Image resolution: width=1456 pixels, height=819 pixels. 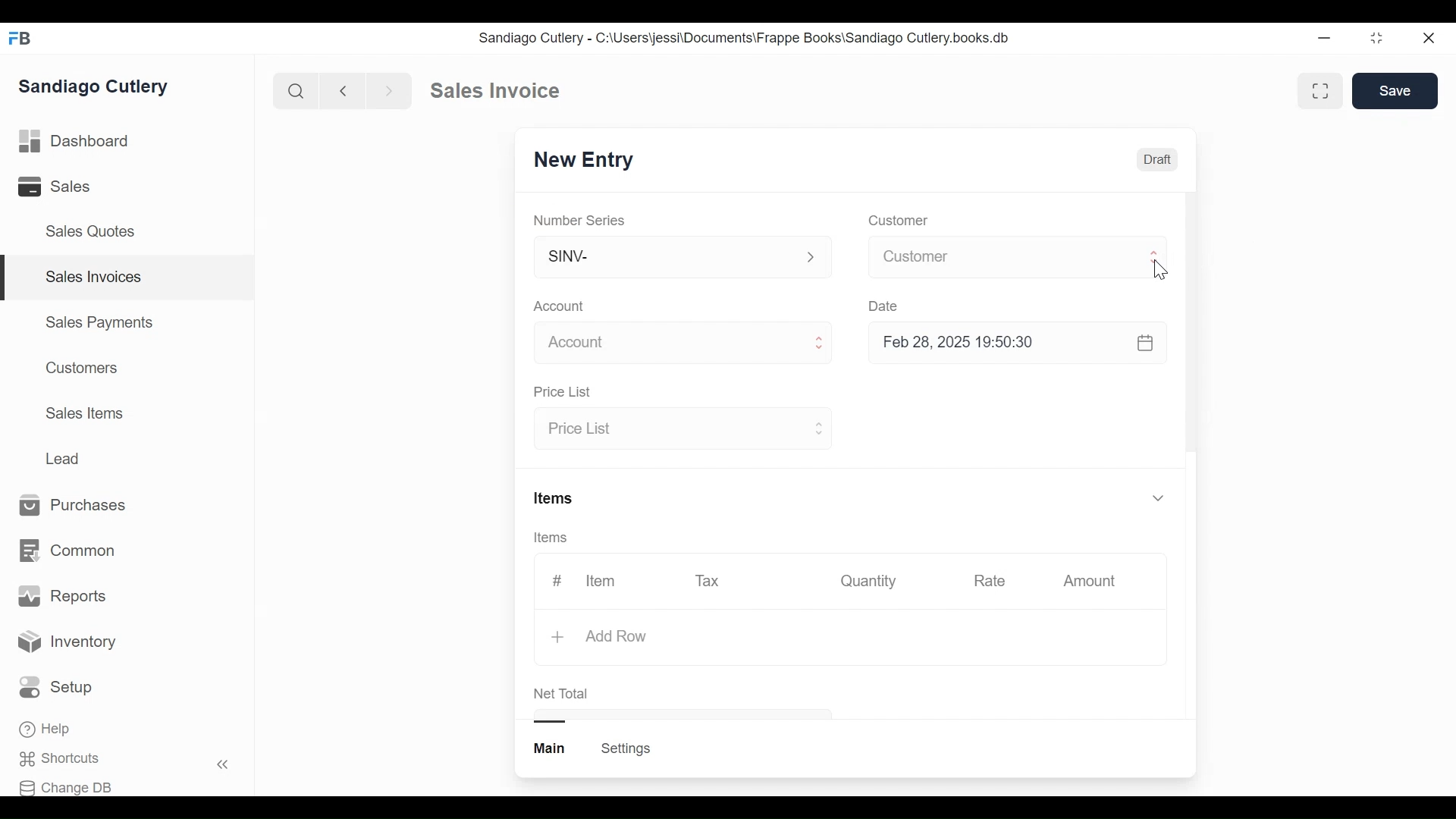 What do you see at coordinates (1156, 159) in the screenshot?
I see `Draft` at bounding box center [1156, 159].